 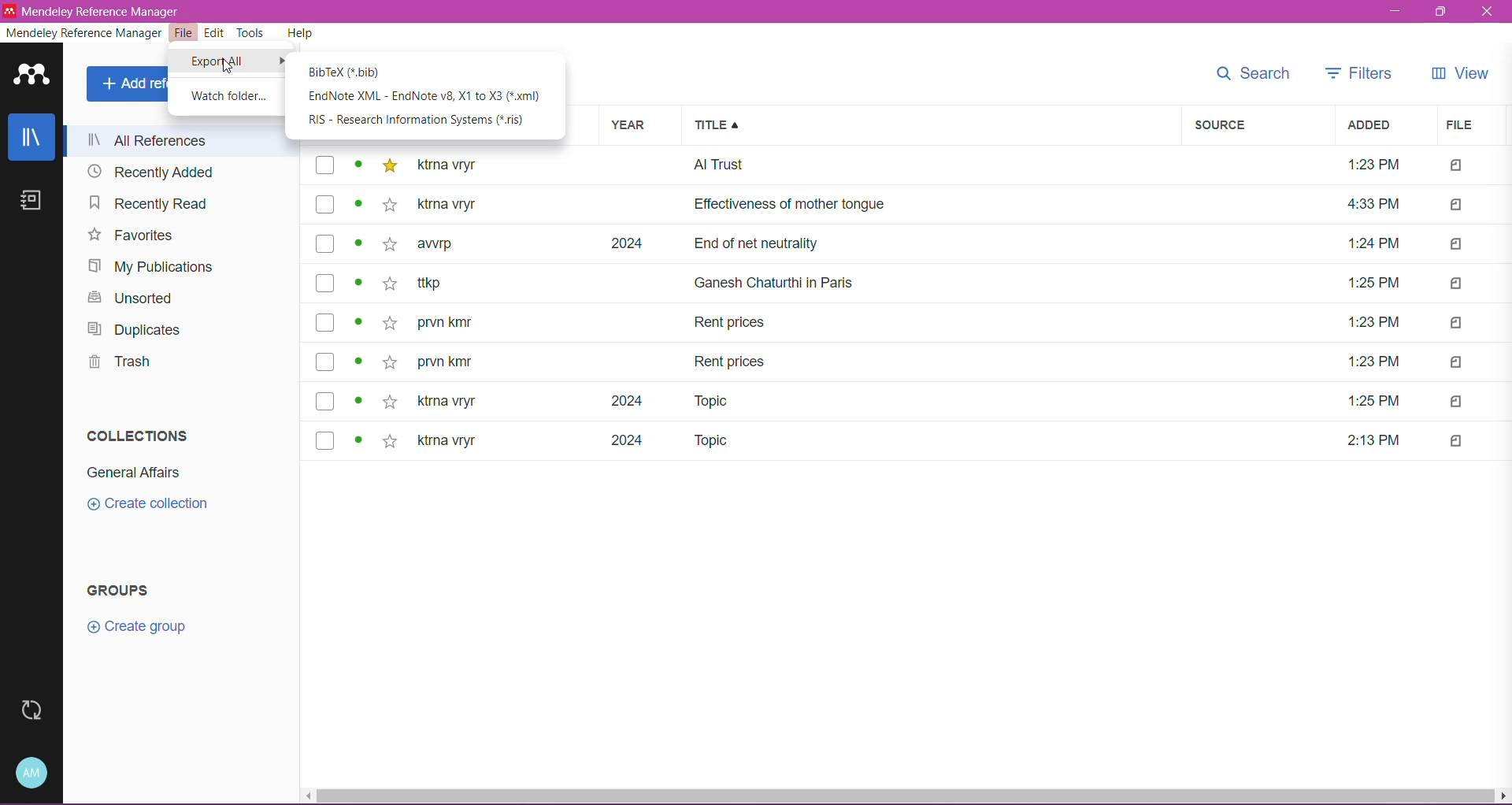 I want to click on Close, so click(x=1490, y=12).